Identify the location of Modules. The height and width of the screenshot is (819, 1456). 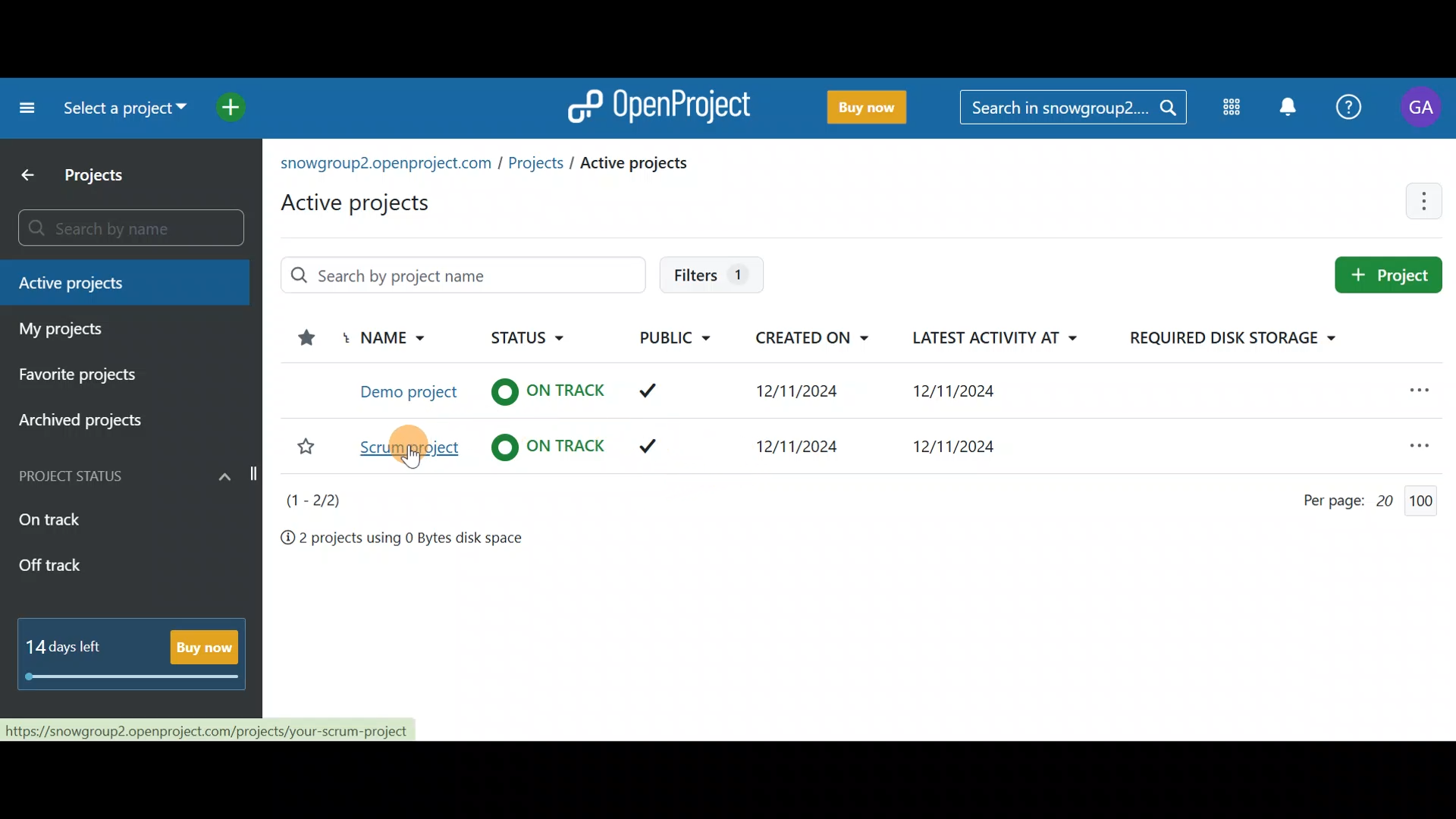
(1228, 111).